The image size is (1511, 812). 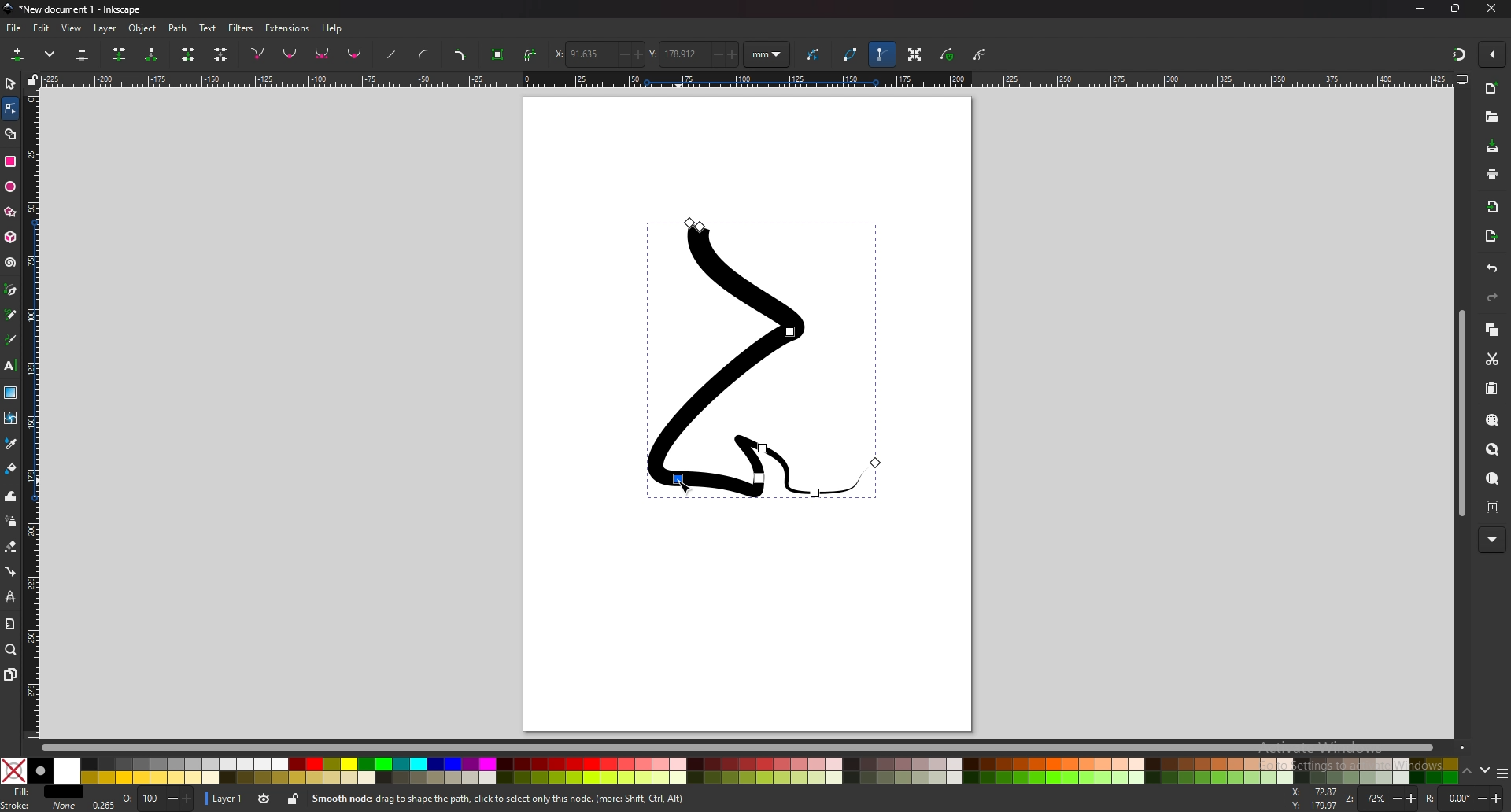 What do you see at coordinates (747, 747) in the screenshot?
I see `scroll bar` at bounding box center [747, 747].